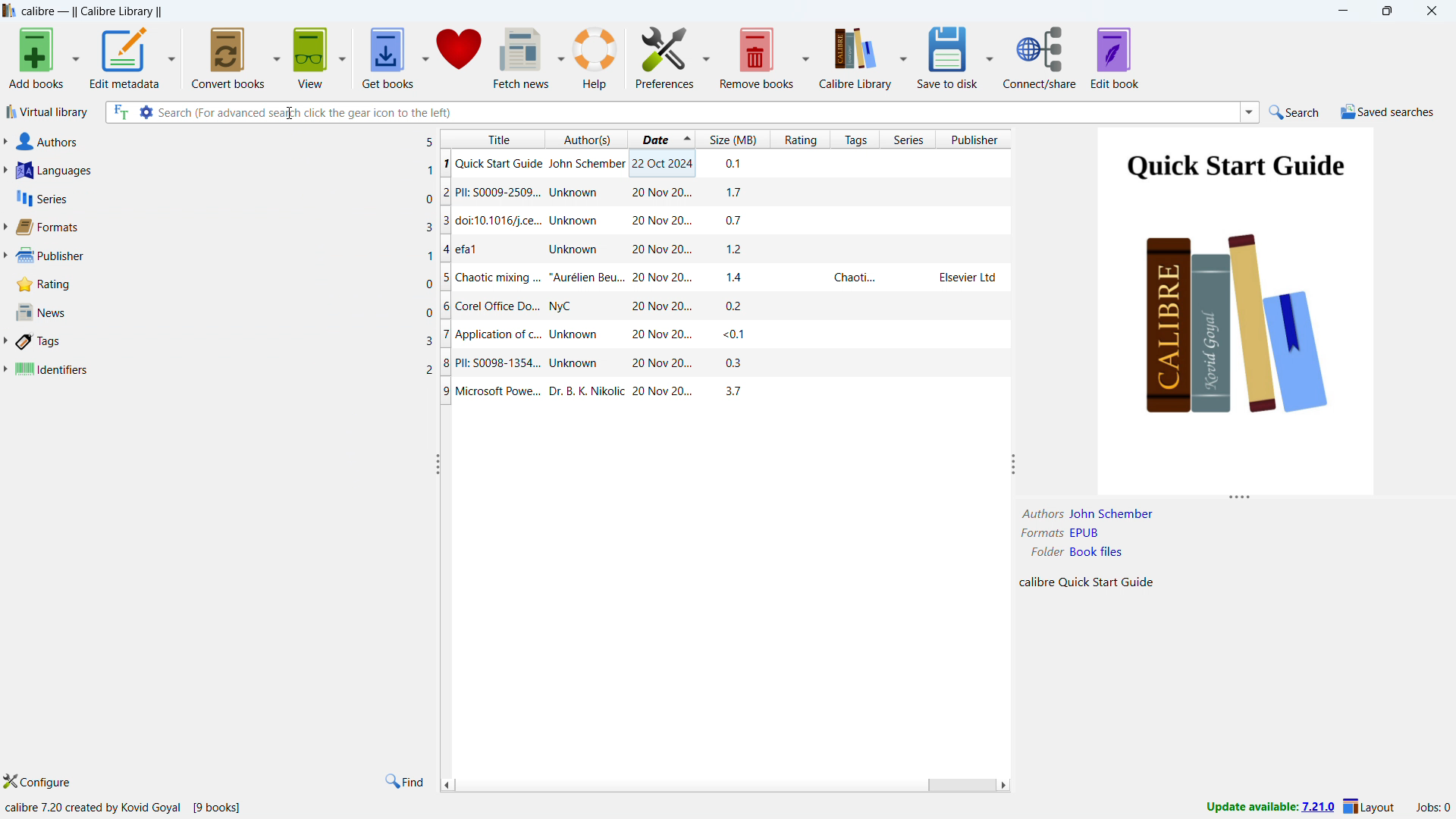 The image size is (1456, 819). I want to click on update, so click(1269, 808).